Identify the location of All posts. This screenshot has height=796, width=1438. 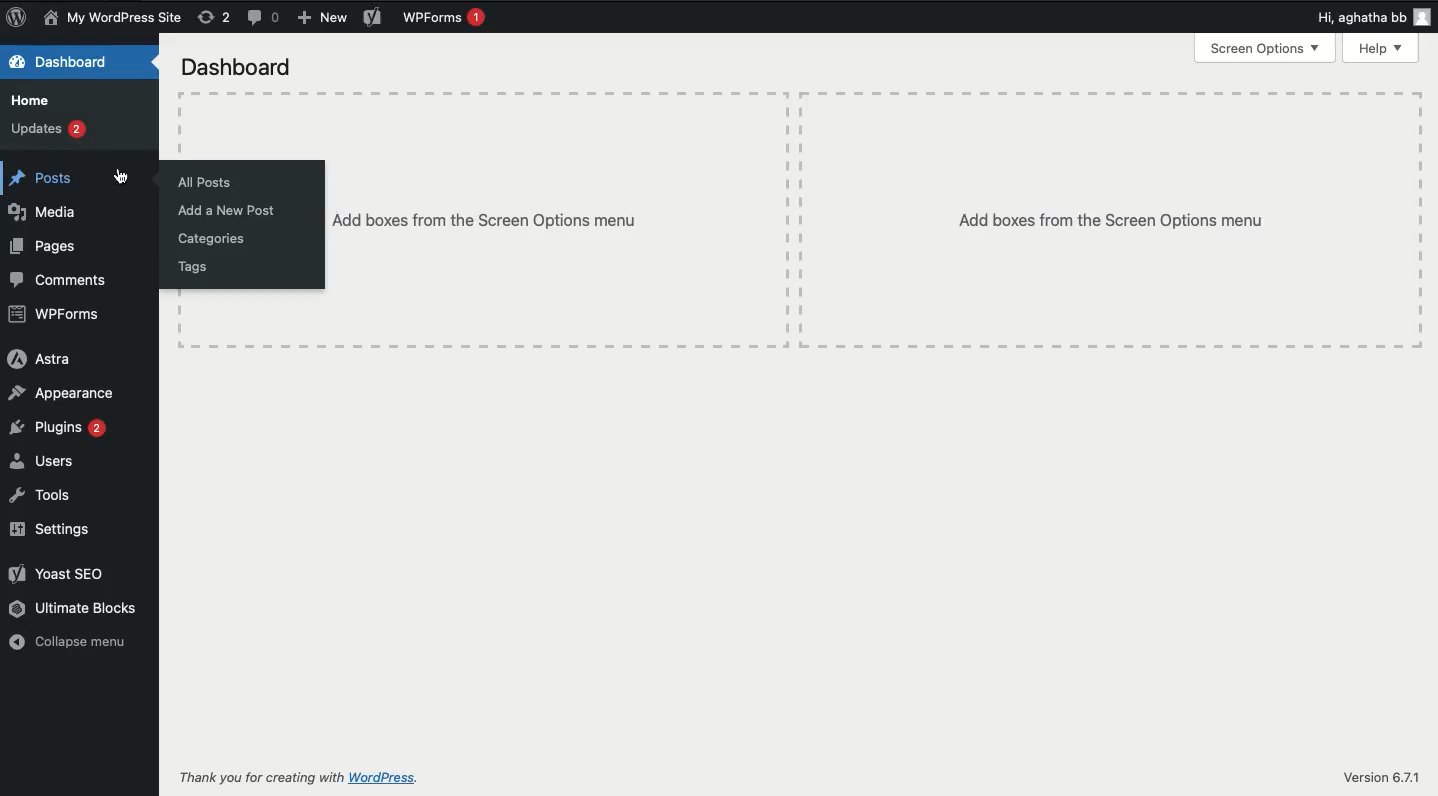
(209, 183).